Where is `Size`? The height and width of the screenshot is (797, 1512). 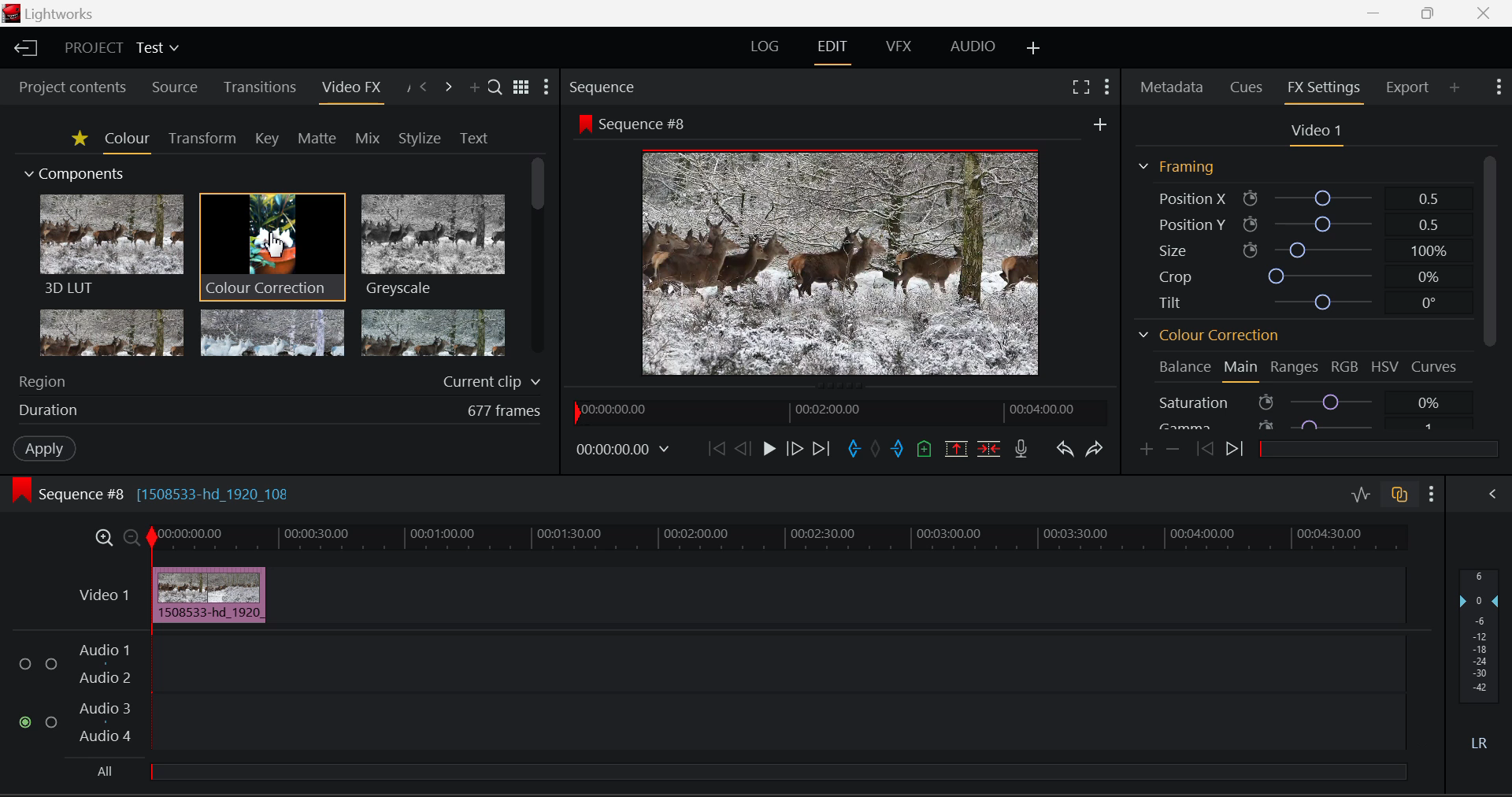 Size is located at coordinates (1296, 250).